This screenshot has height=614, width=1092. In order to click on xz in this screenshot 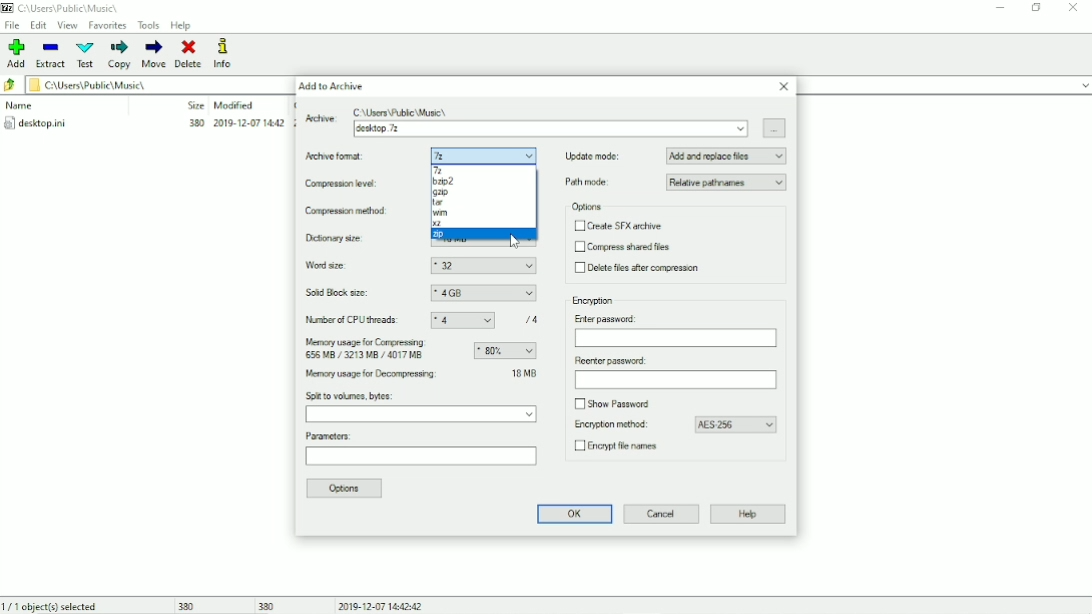, I will do `click(438, 224)`.